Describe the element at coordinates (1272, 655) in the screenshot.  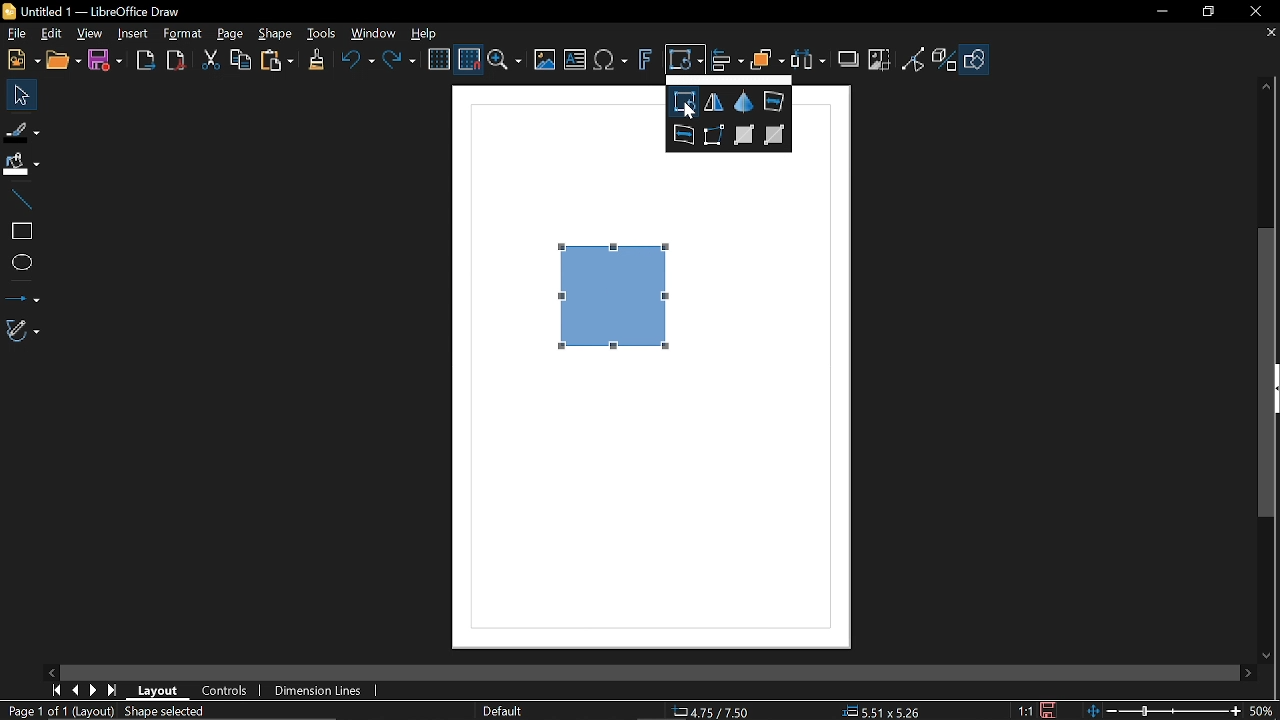
I see `MOve down` at that location.